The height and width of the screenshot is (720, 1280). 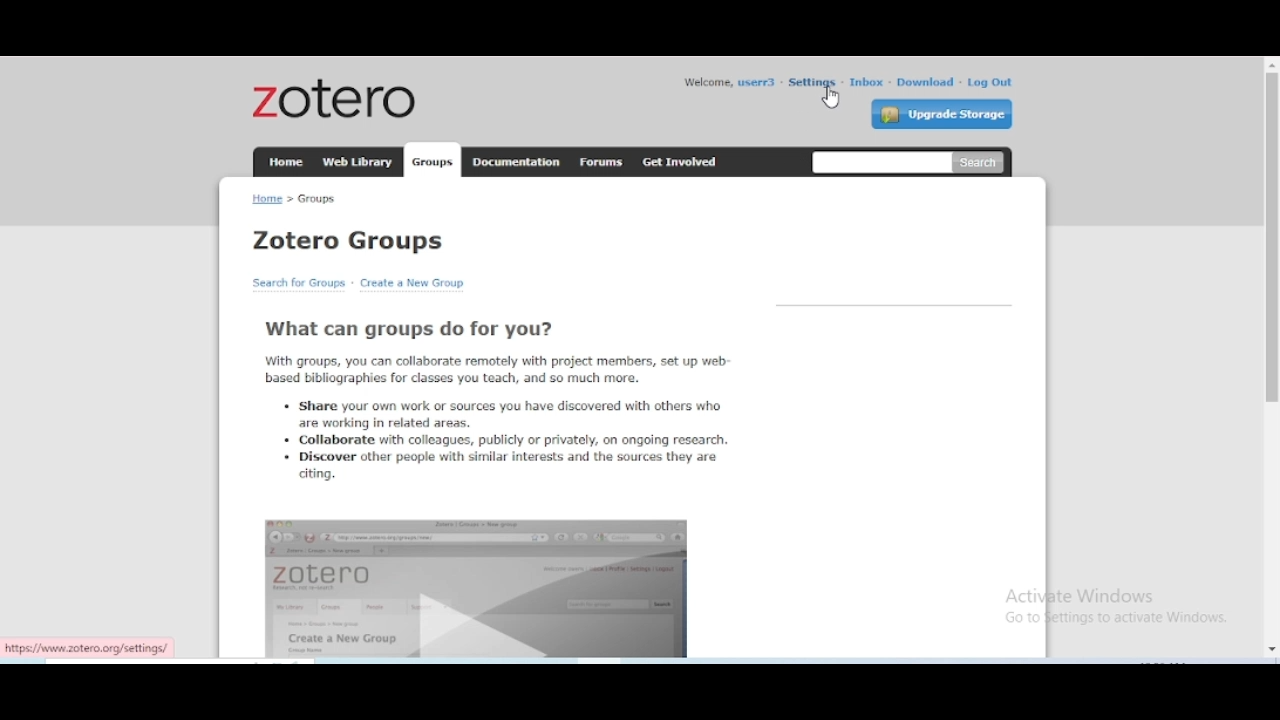 What do you see at coordinates (942, 114) in the screenshot?
I see `upgrade storage` at bounding box center [942, 114].